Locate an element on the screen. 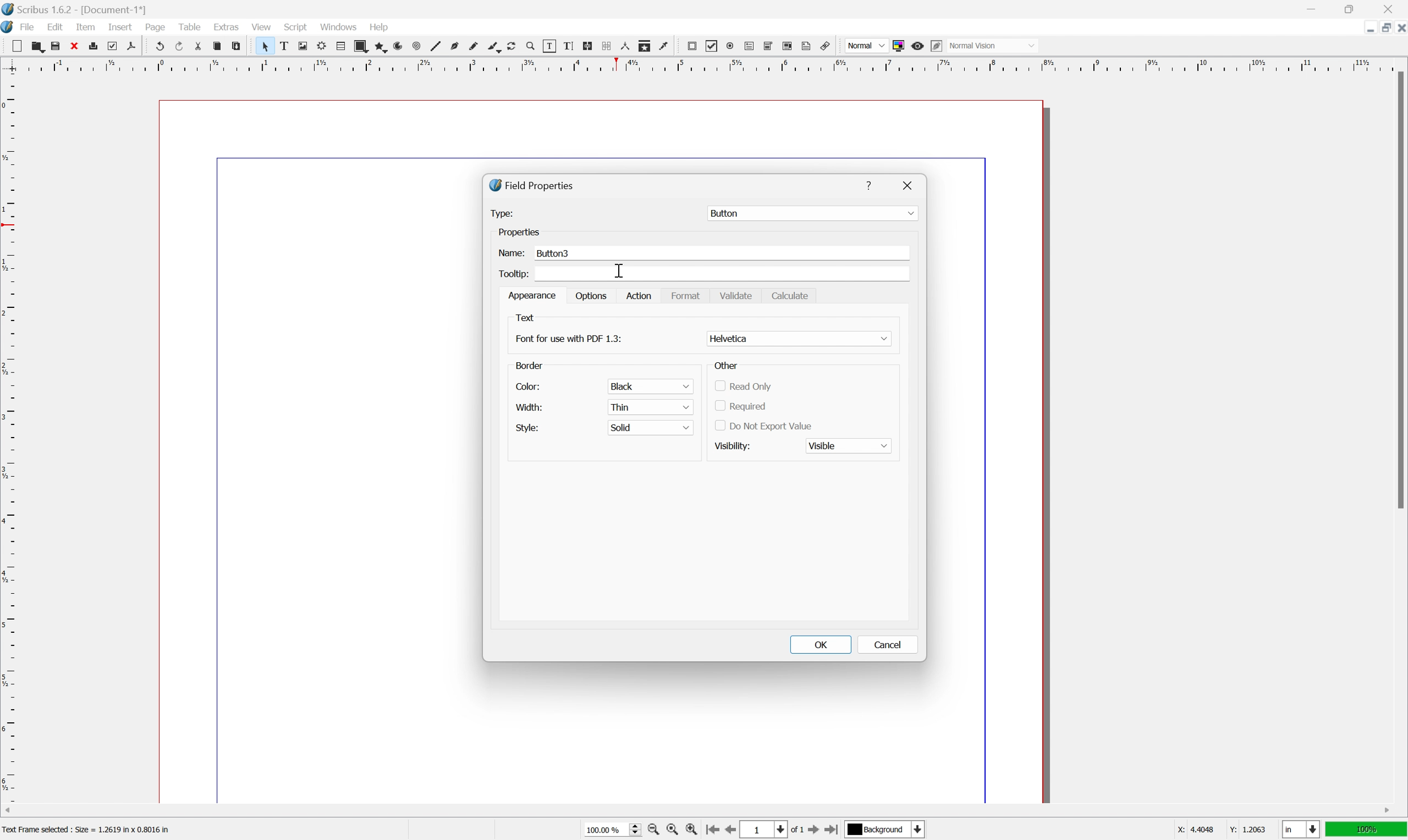  thin is located at coordinates (649, 406).